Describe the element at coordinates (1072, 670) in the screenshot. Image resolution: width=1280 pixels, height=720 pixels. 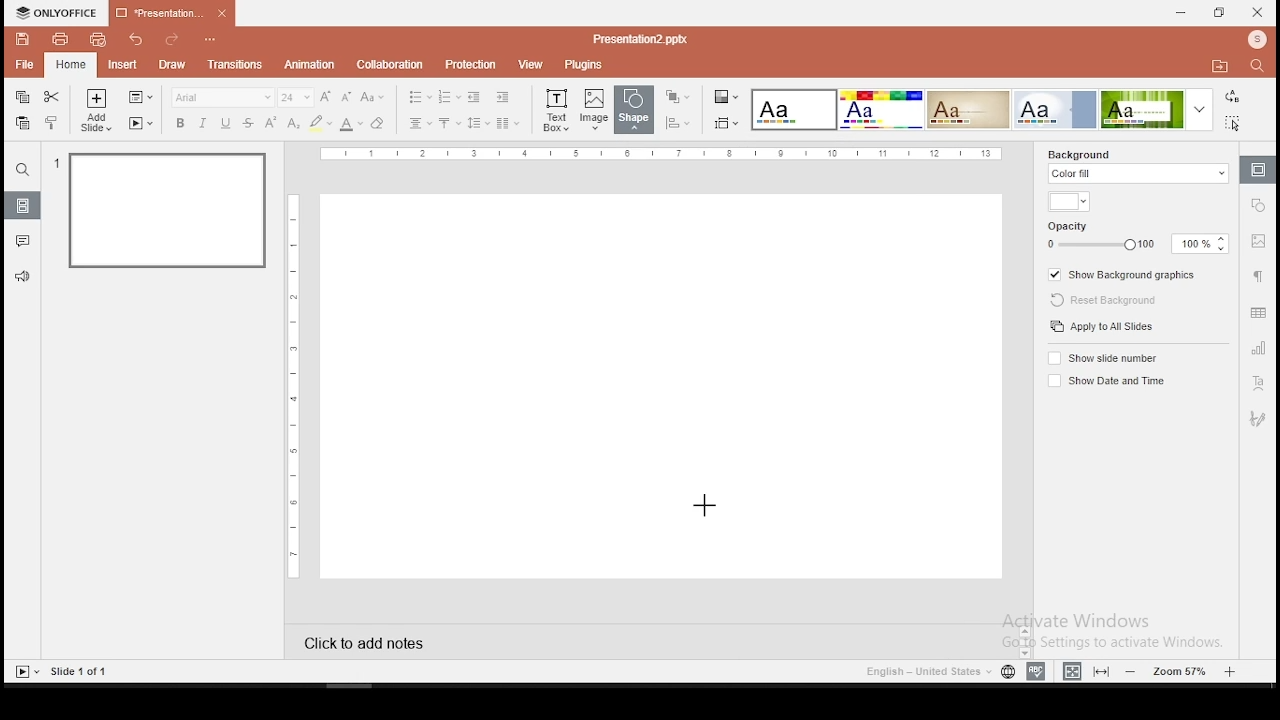
I see `fit to width` at that location.